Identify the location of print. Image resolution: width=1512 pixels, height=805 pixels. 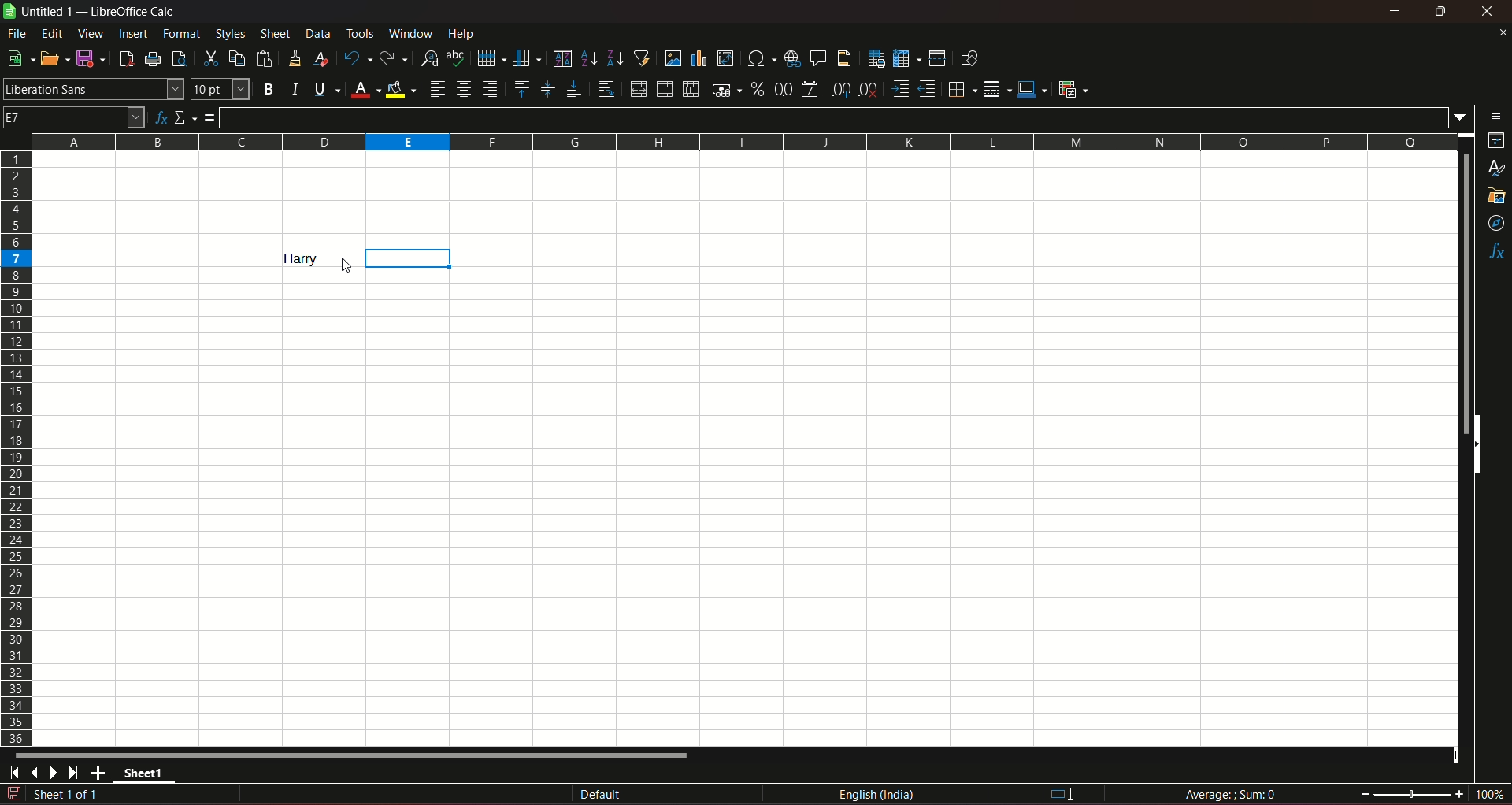
(154, 61).